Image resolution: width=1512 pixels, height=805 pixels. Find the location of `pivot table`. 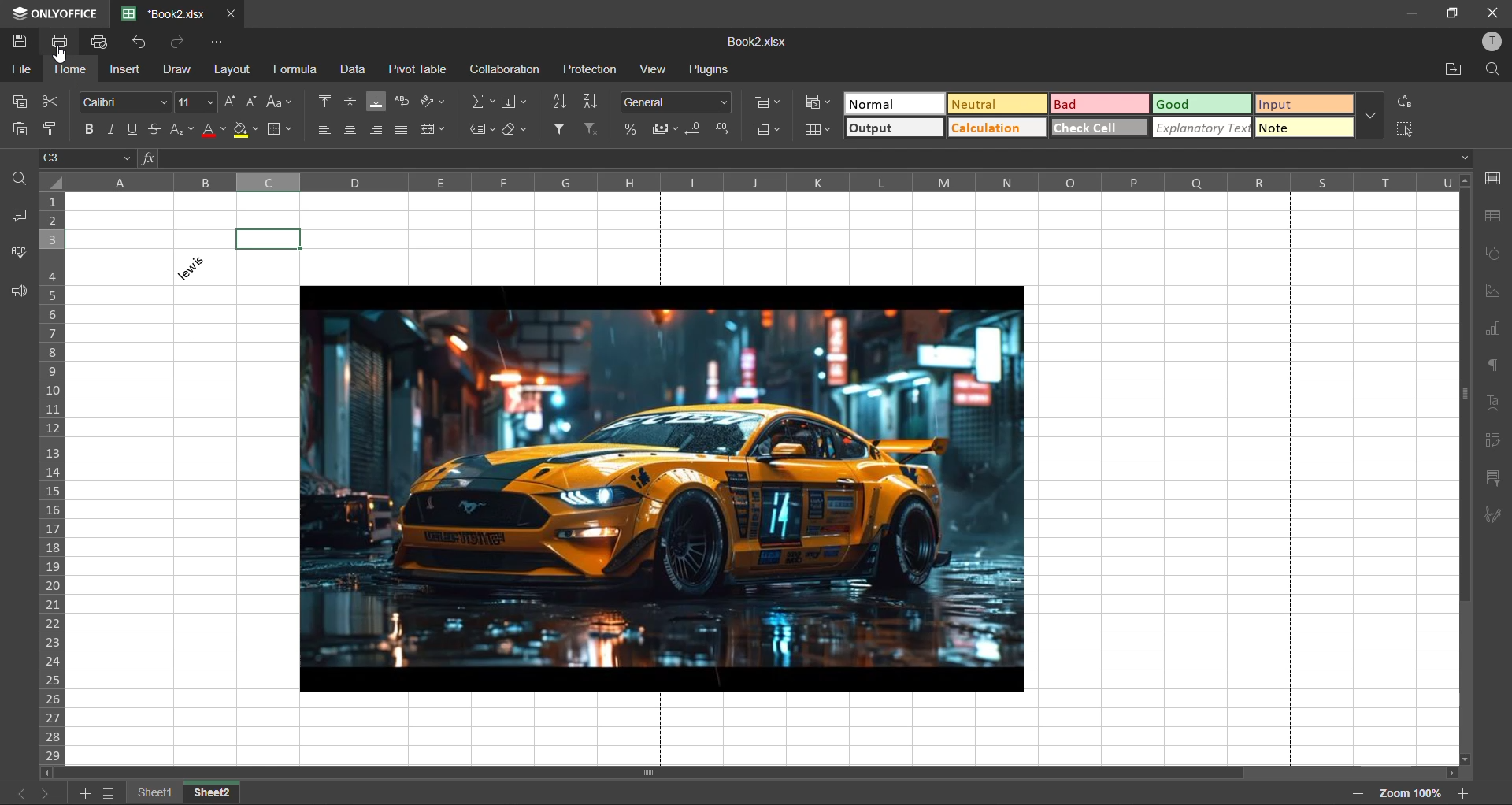

pivot table is located at coordinates (416, 69).